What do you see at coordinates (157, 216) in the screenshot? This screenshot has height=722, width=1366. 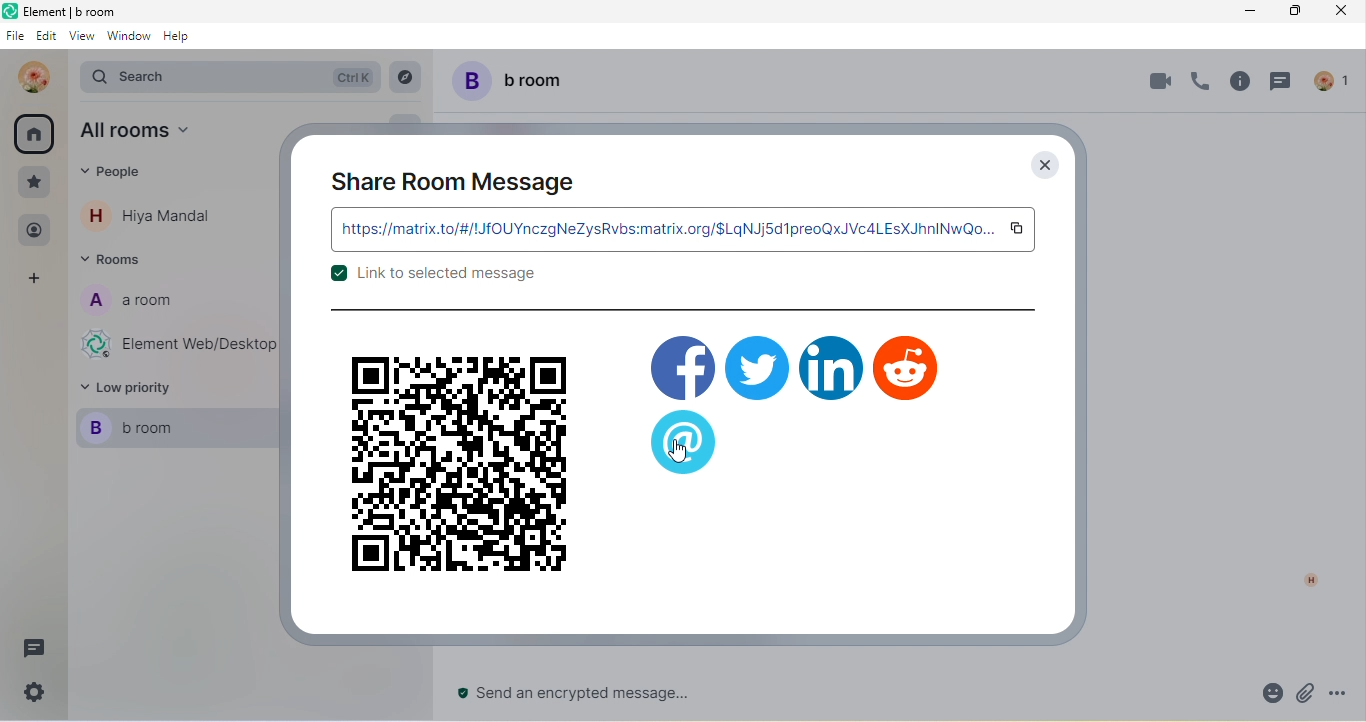 I see `hiya mandal` at bounding box center [157, 216].